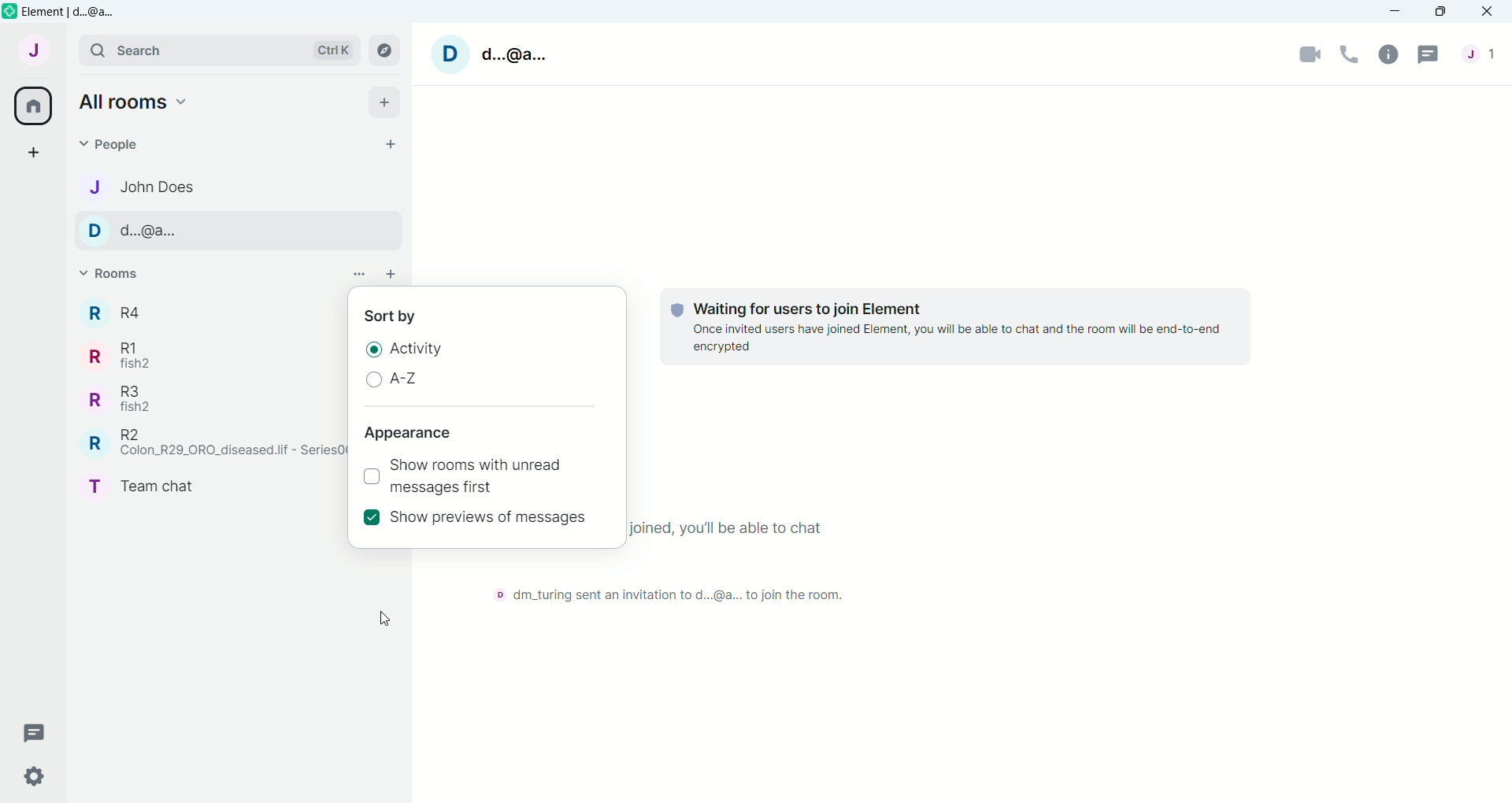 This screenshot has height=803, width=1512. What do you see at coordinates (139, 144) in the screenshot?
I see `People` at bounding box center [139, 144].